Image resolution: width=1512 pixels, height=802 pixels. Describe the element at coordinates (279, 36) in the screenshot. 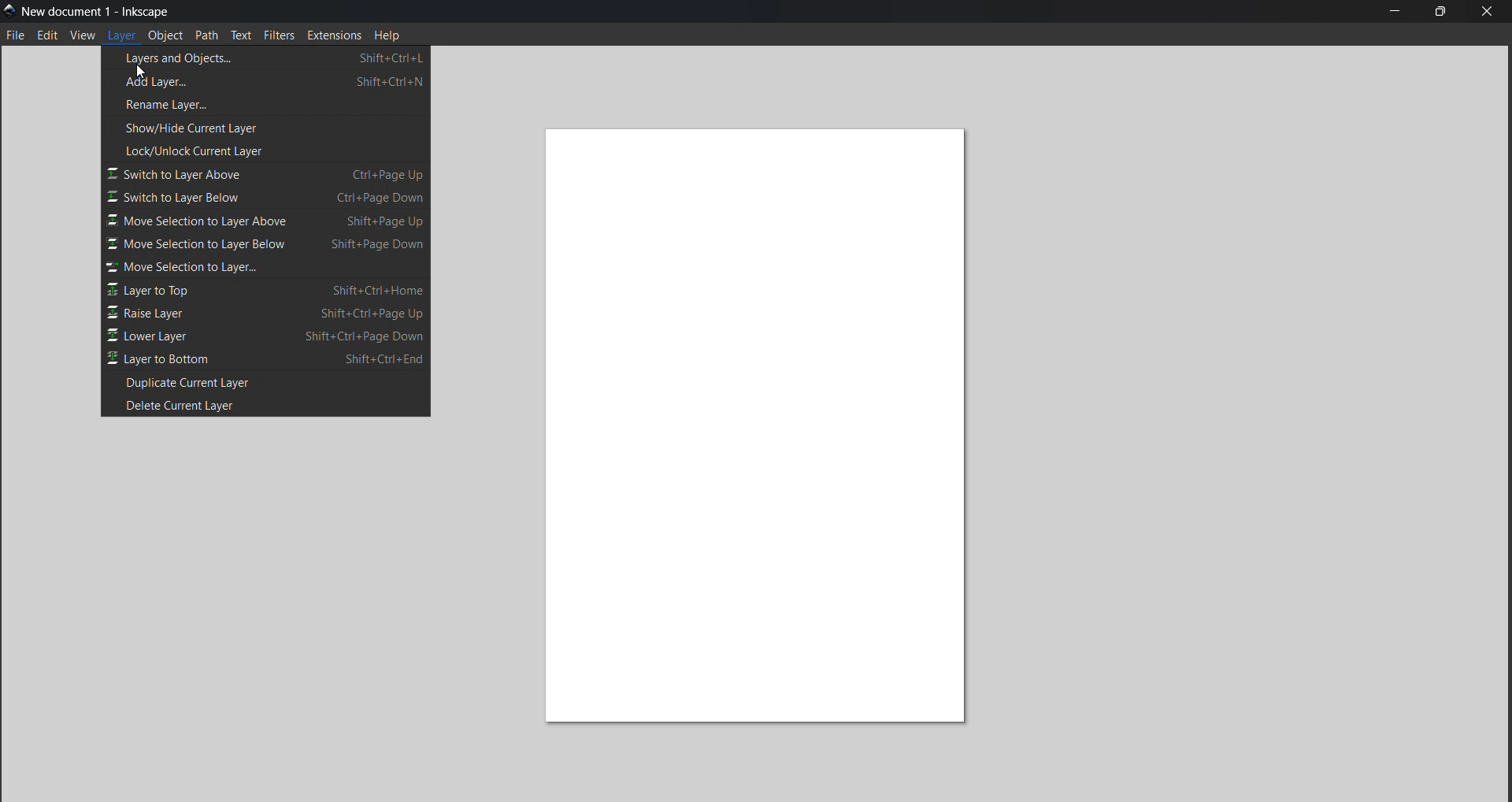

I see `filters` at that location.